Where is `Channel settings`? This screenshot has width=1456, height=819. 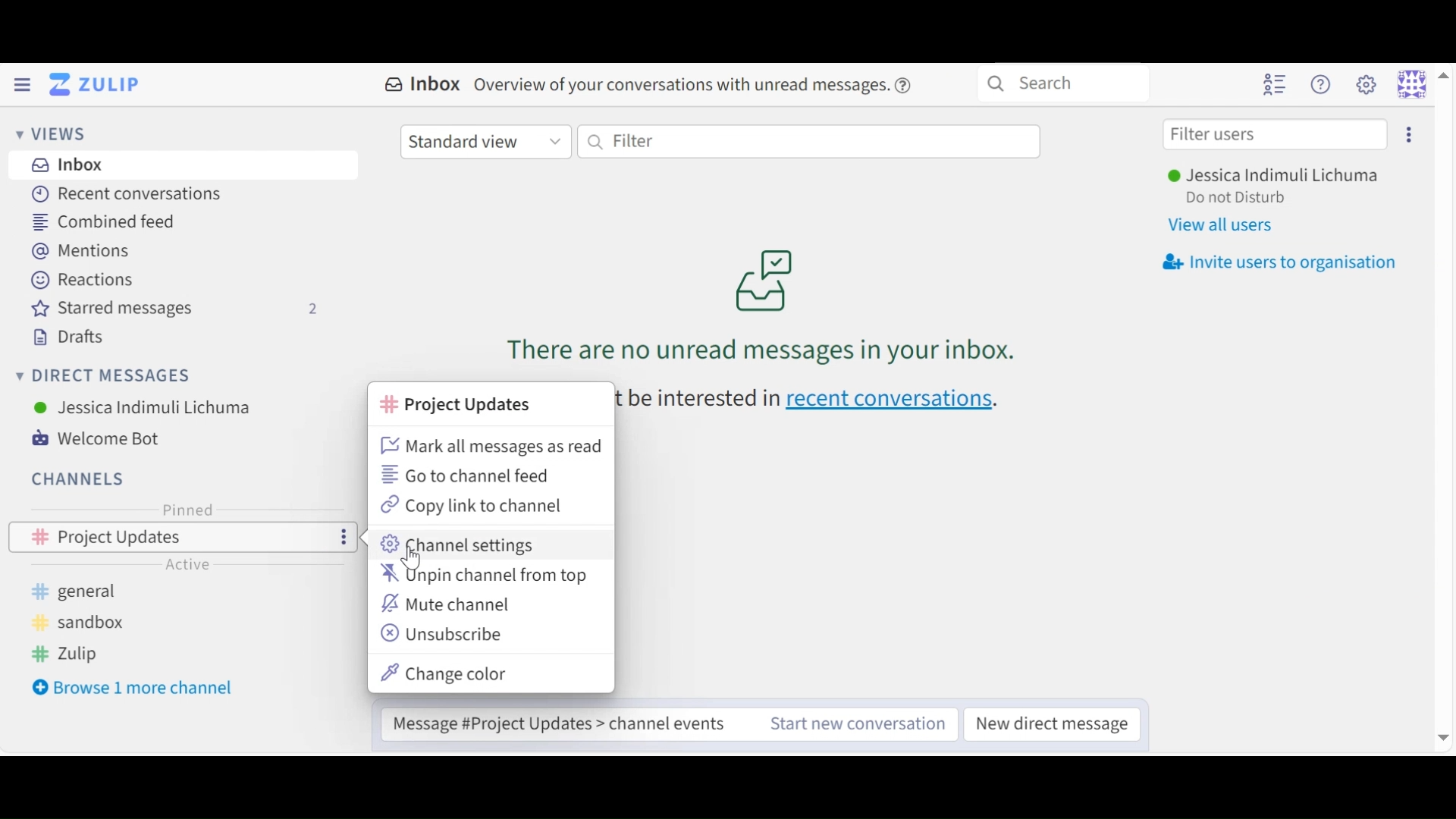 Channel settings is located at coordinates (458, 544).